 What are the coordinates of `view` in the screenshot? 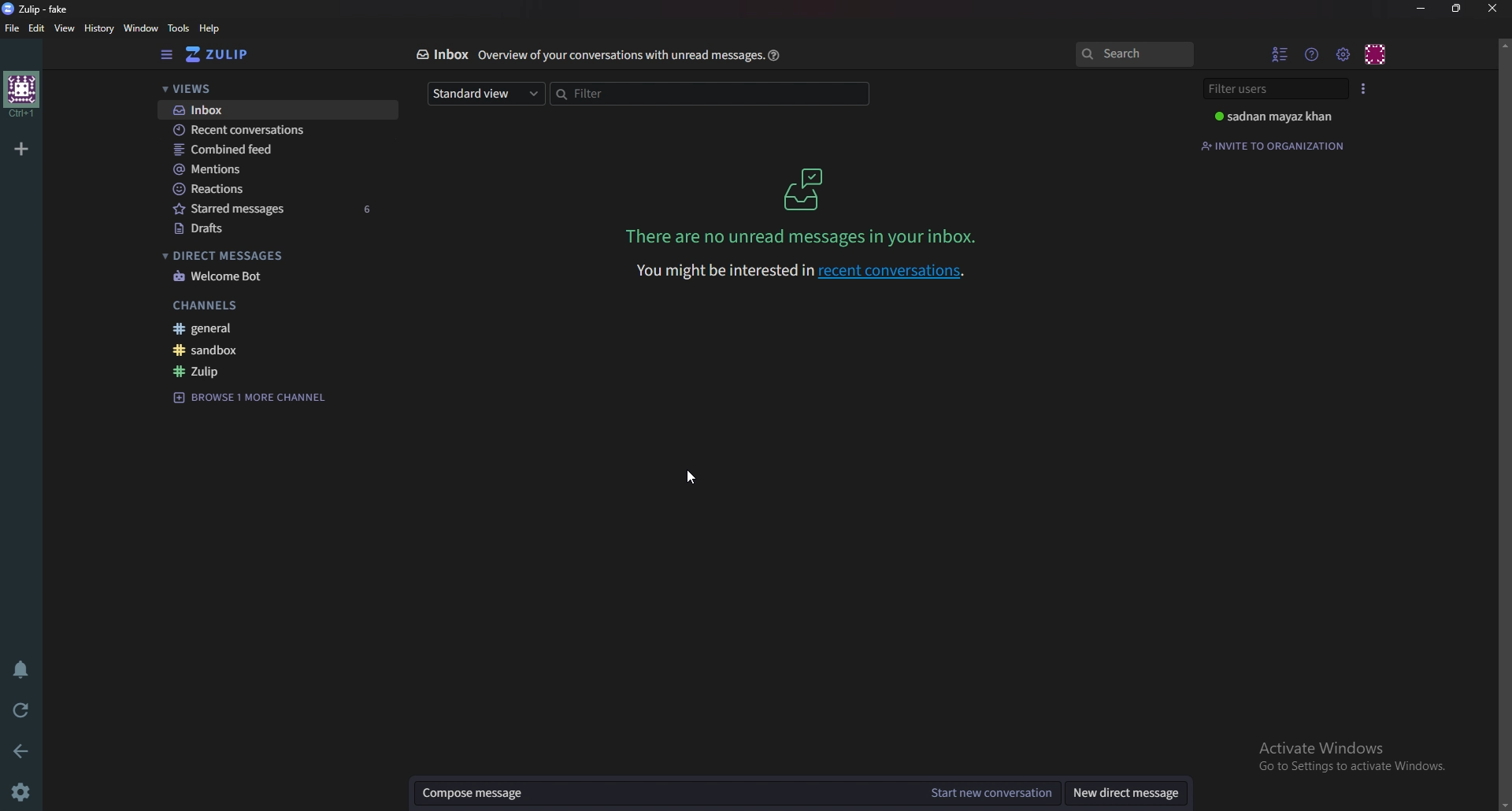 It's located at (66, 28).